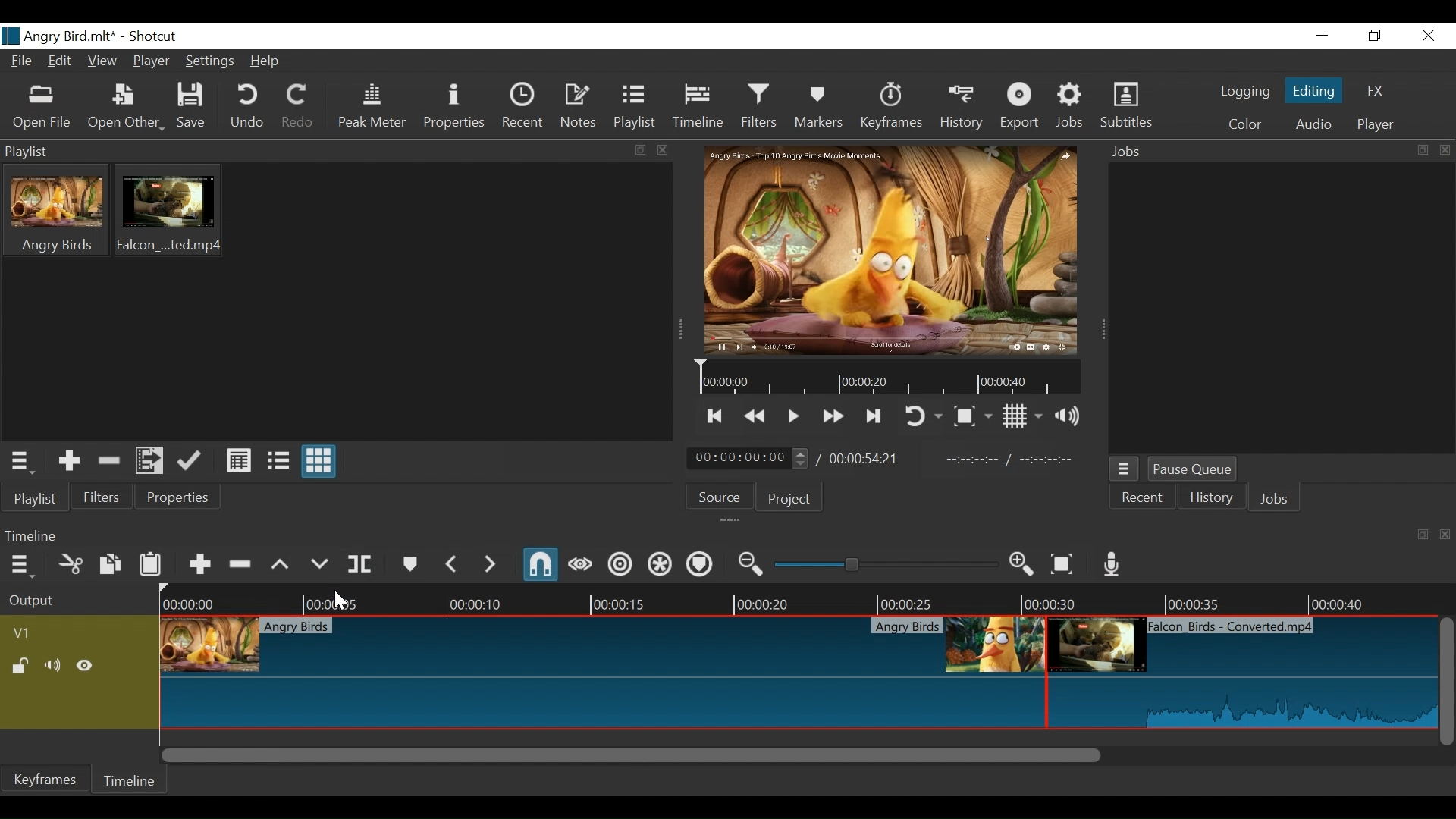  I want to click on , so click(450, 563).